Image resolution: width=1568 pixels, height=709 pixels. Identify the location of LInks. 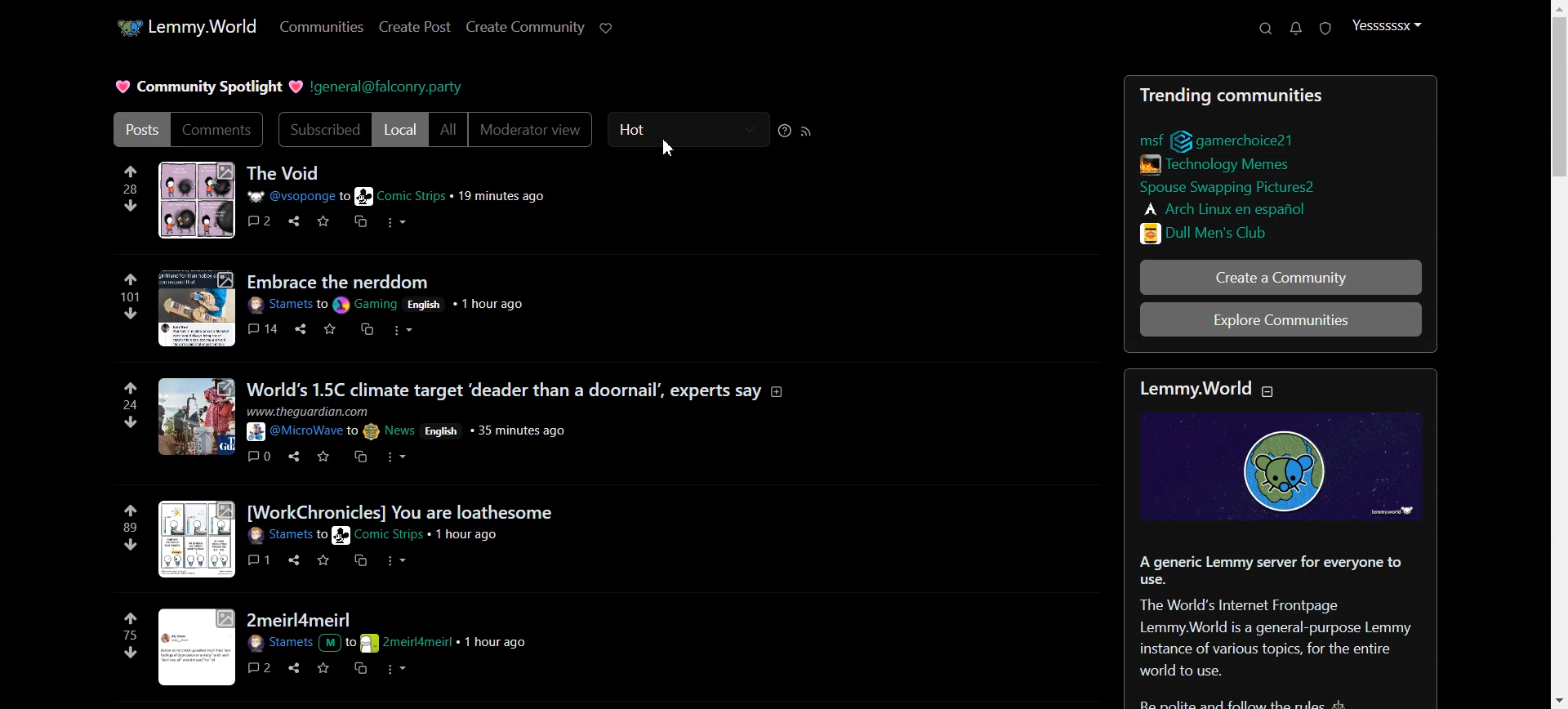
(1211, 232).